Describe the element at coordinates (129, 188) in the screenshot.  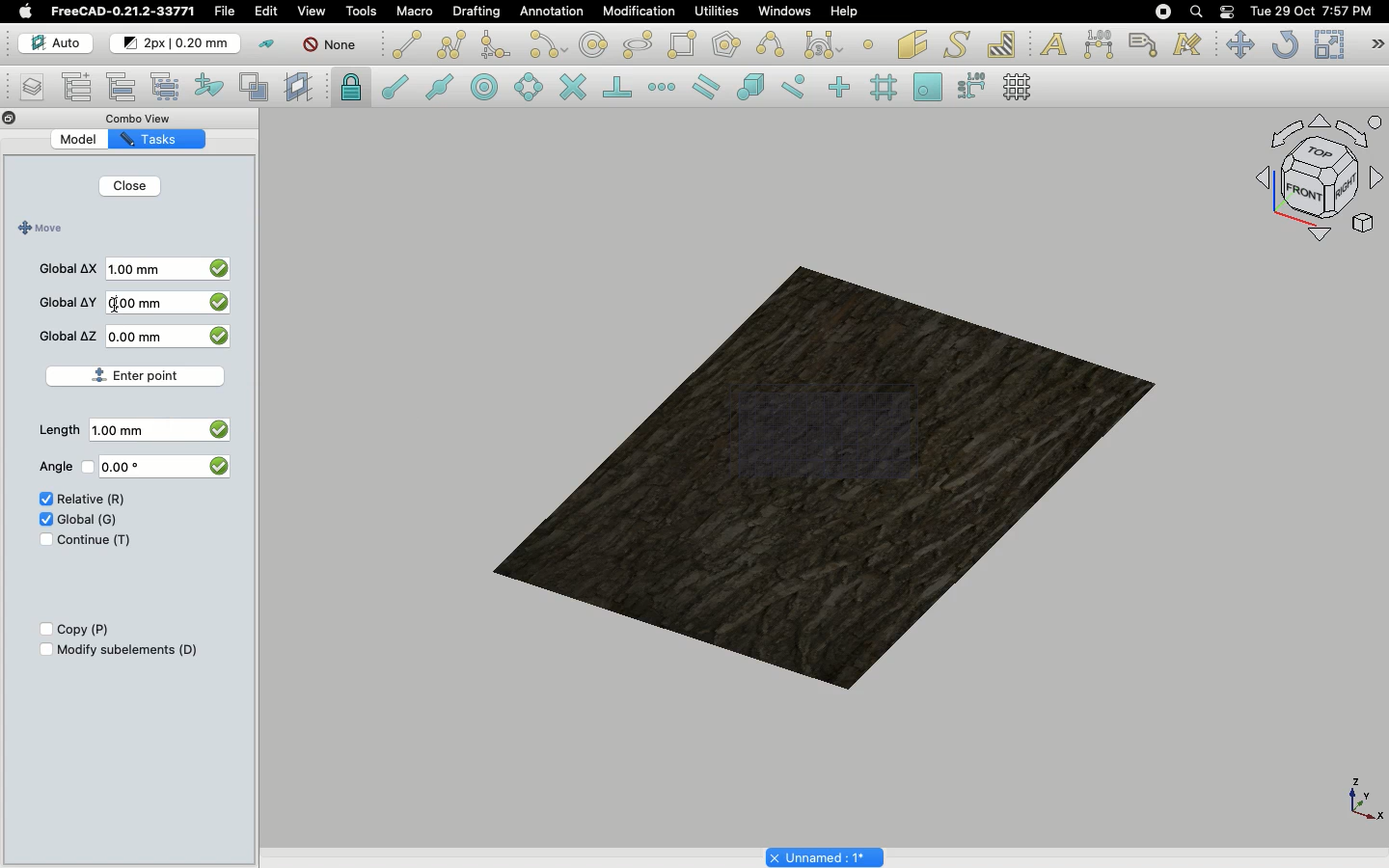
I see `Close` at that location.